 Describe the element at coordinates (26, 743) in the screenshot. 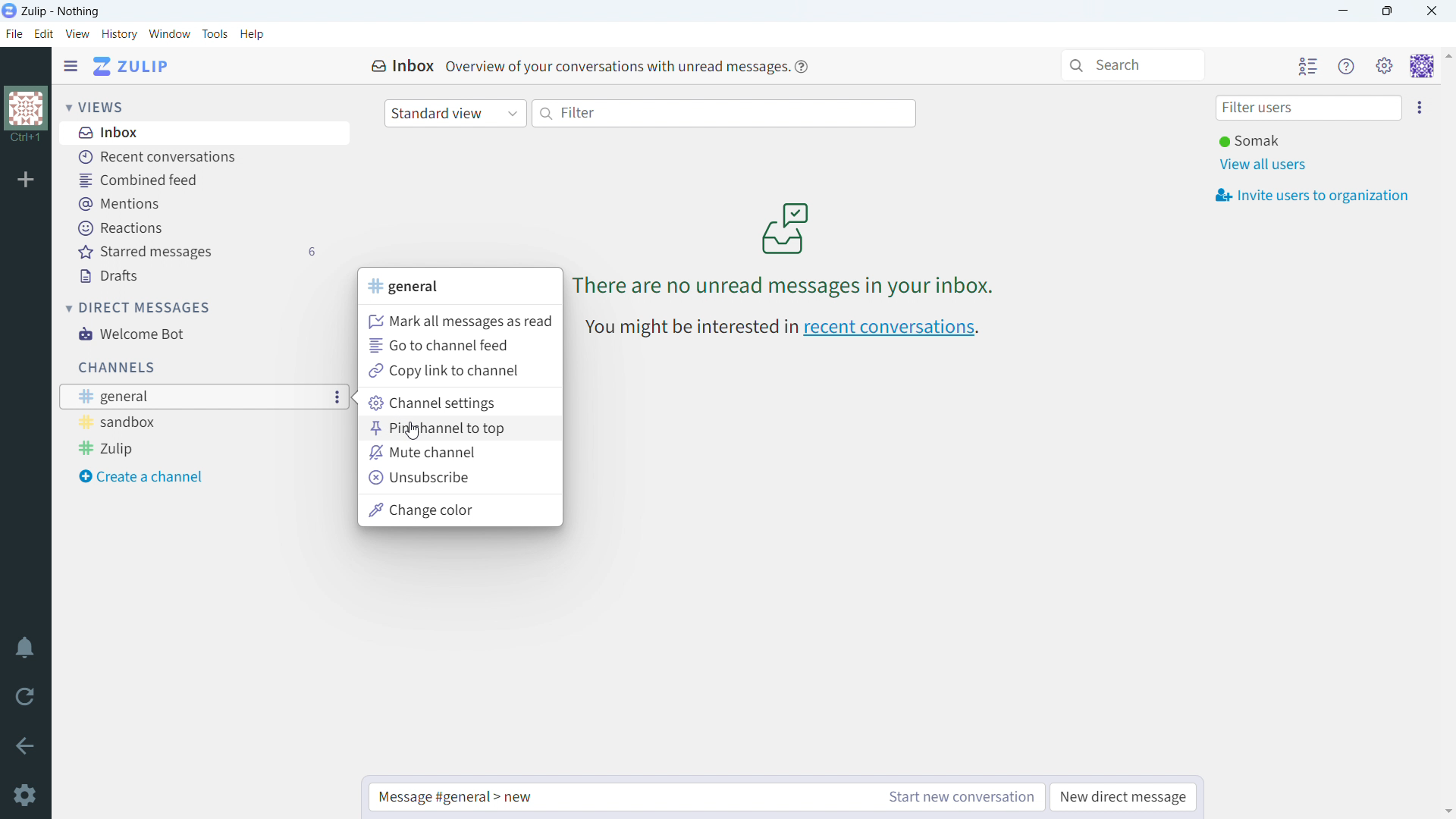

I see `go back` at that location.